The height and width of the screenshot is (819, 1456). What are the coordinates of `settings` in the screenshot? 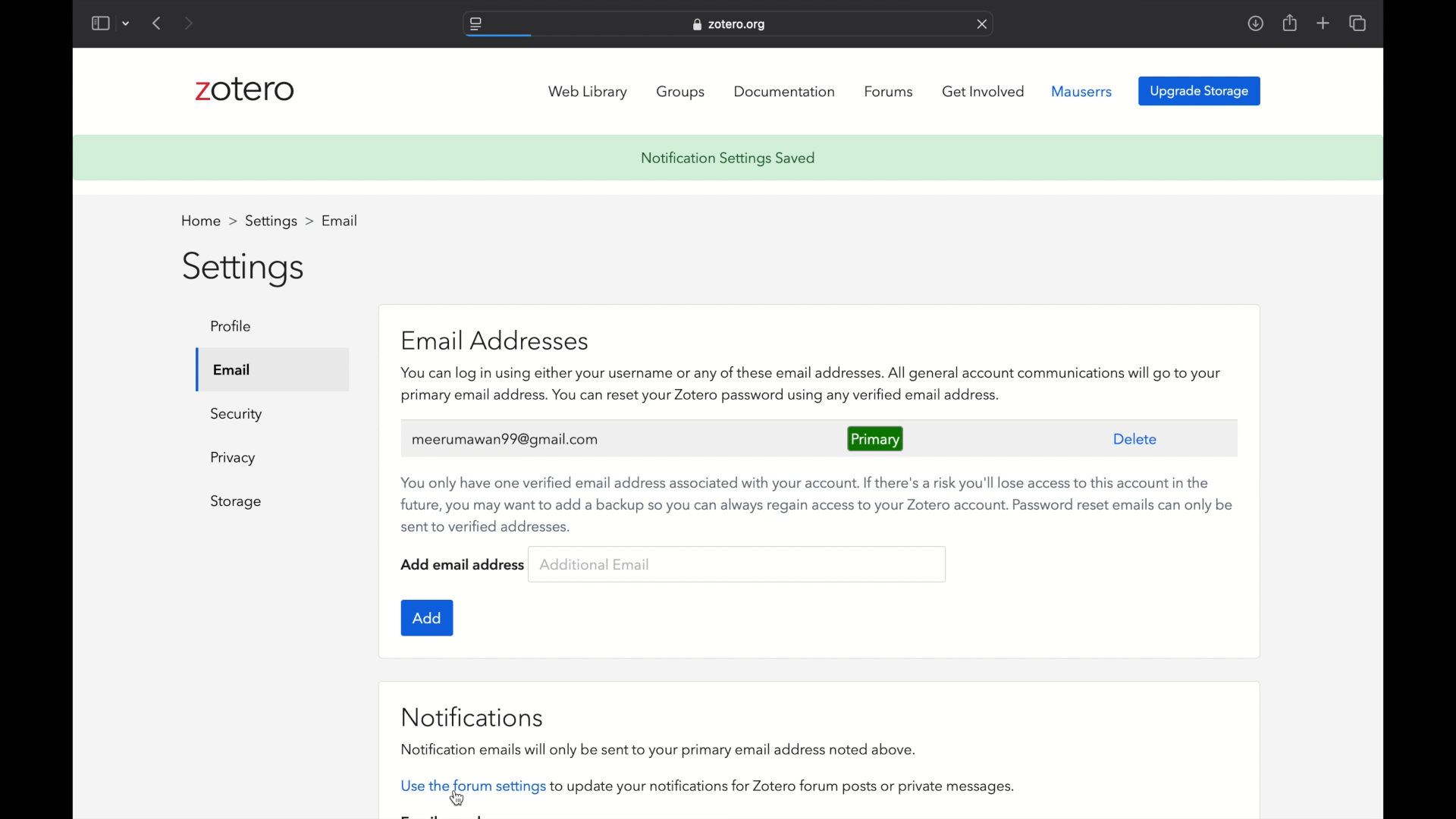 It's located at (278, 221).